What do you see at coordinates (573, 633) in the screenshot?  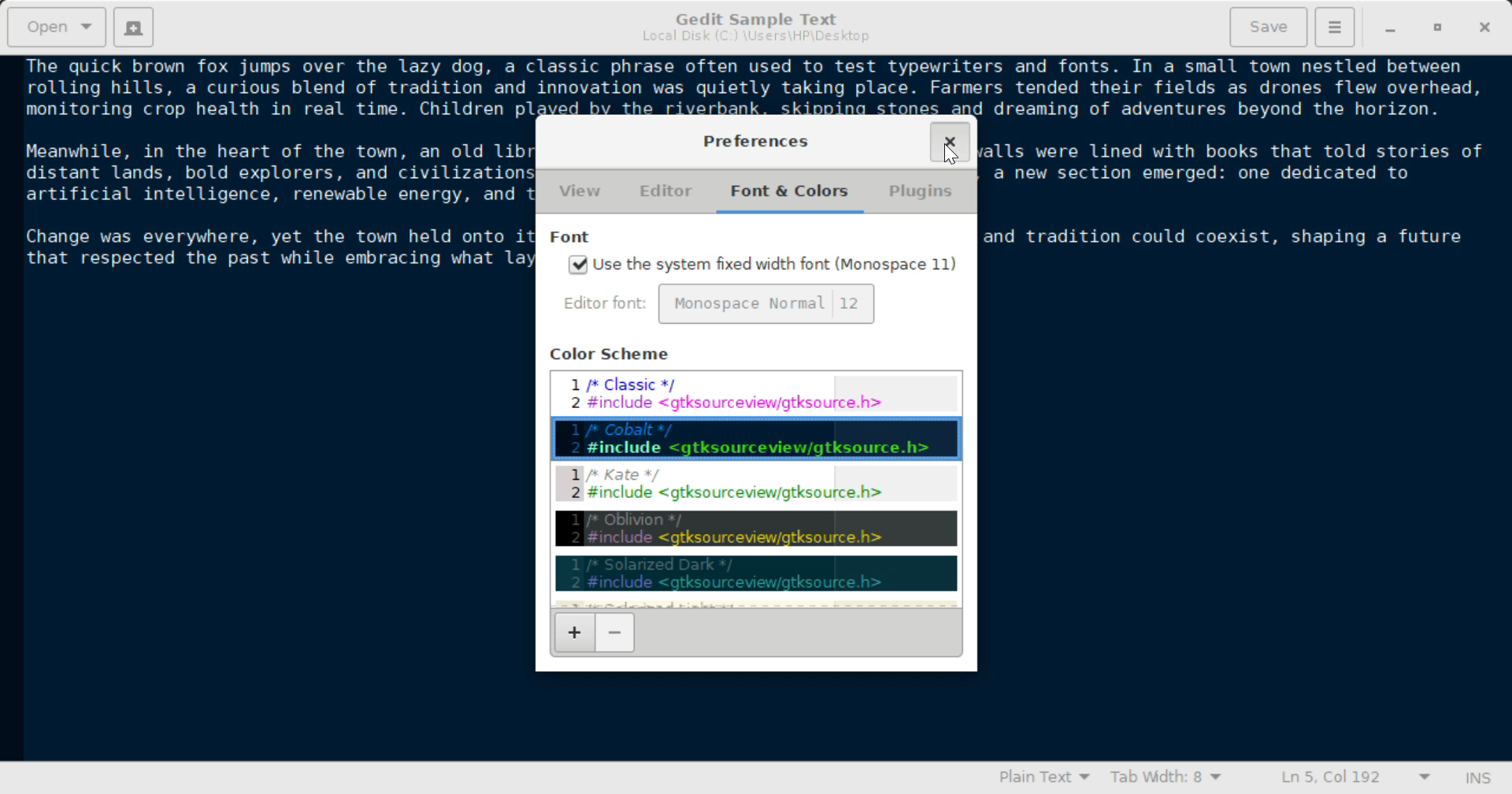 I see `Add Scheme` at bounding box center [573, 633].